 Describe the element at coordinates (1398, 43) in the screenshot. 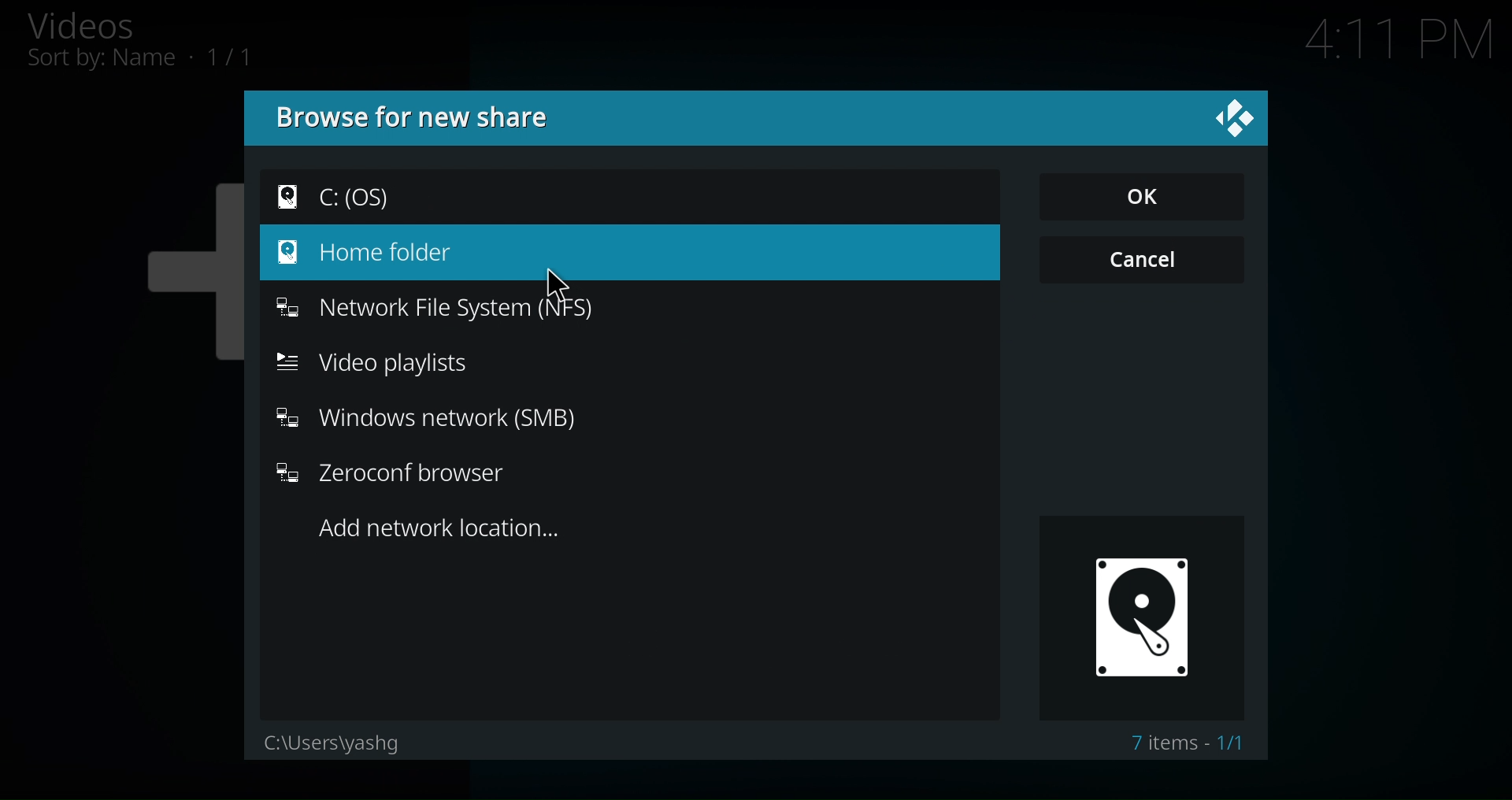

I see `4:11 PM` at that location.